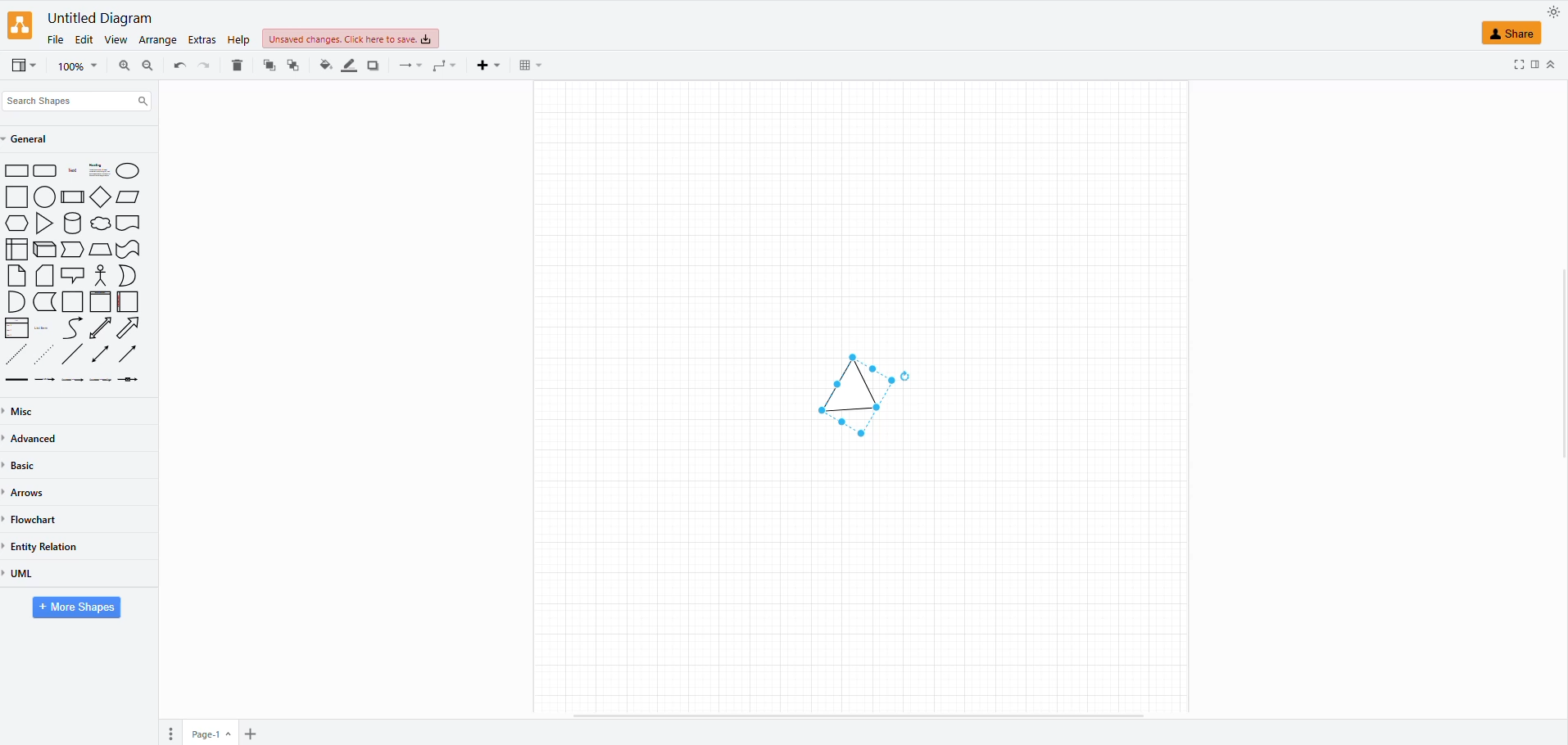 Image resolution: width=1568 pixels, height=745 pixels. I want to click on insert pages, so click(248, 735).